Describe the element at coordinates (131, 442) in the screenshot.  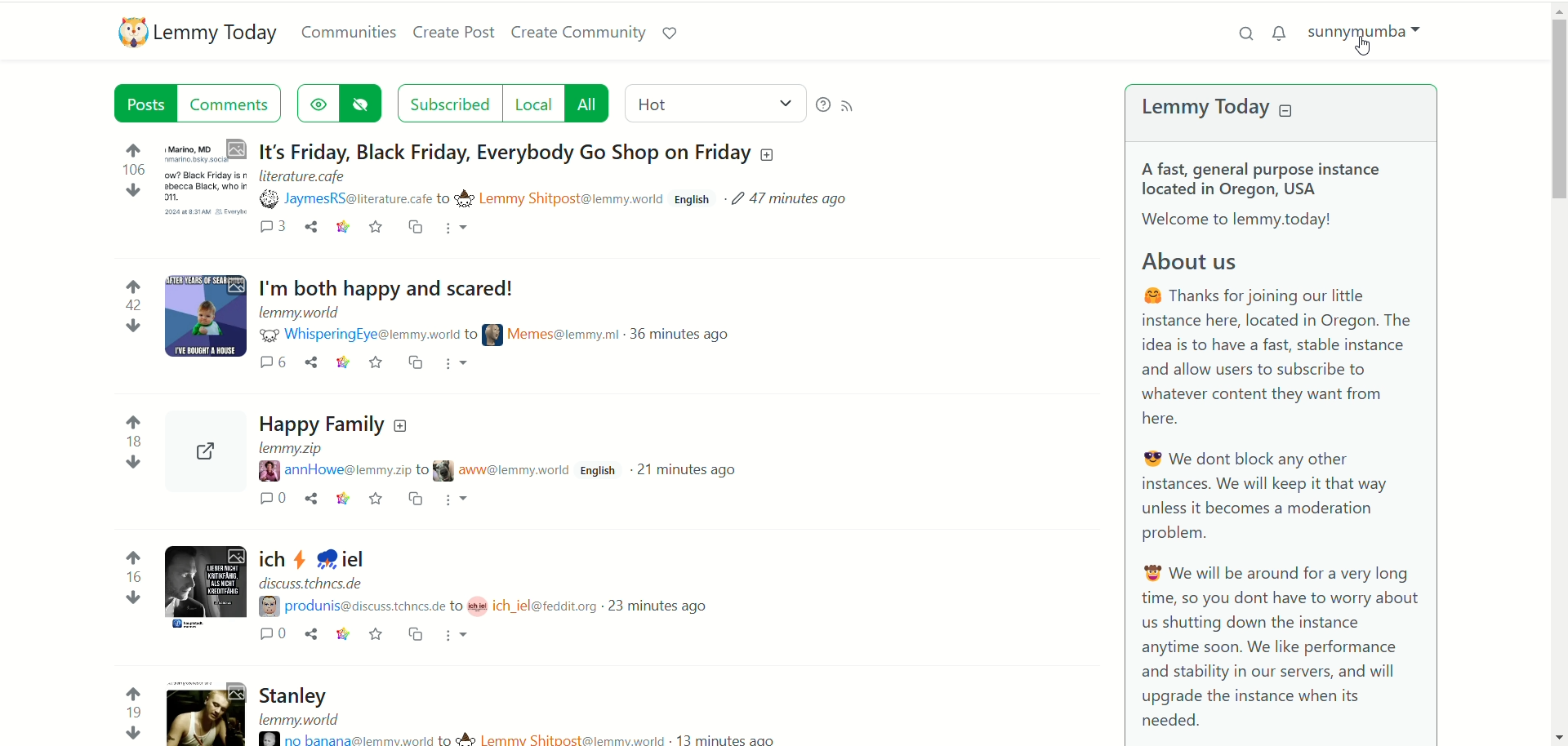
I see `votes` at that location.